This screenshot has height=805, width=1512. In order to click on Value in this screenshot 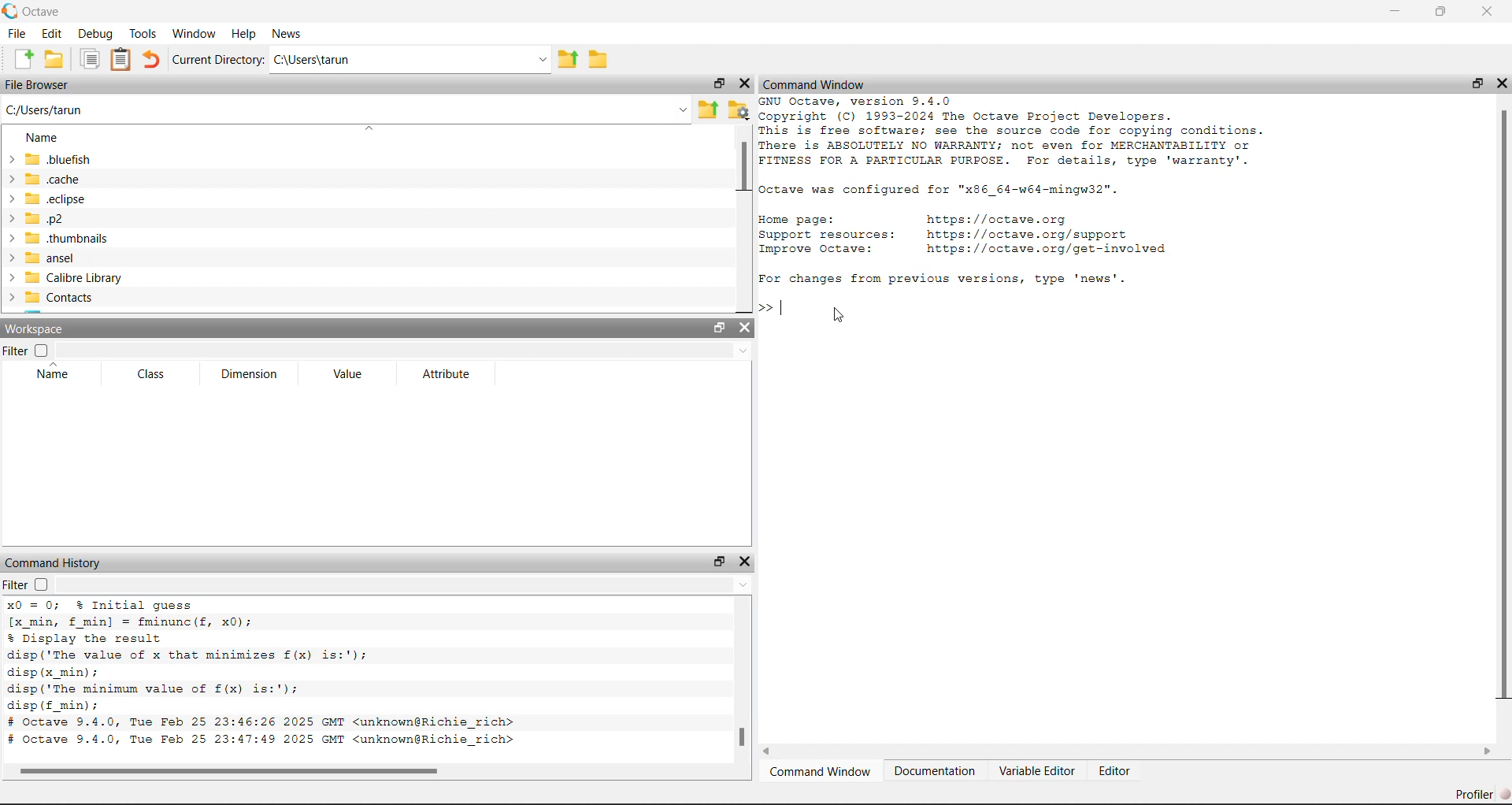, I will do `click(353, 376)`.